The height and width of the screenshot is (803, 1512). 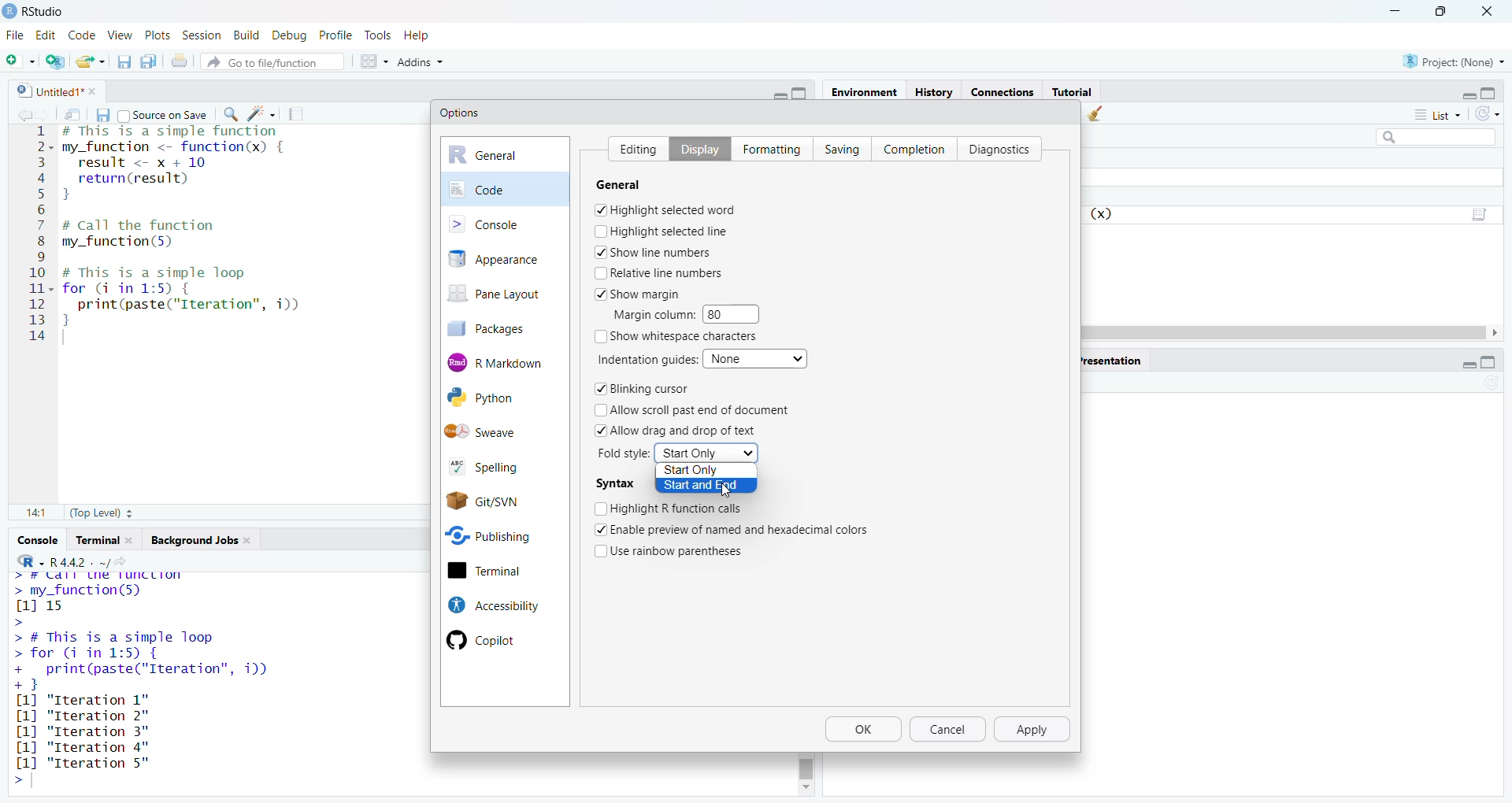 I want to click on saving, so click(x=836, y=148).